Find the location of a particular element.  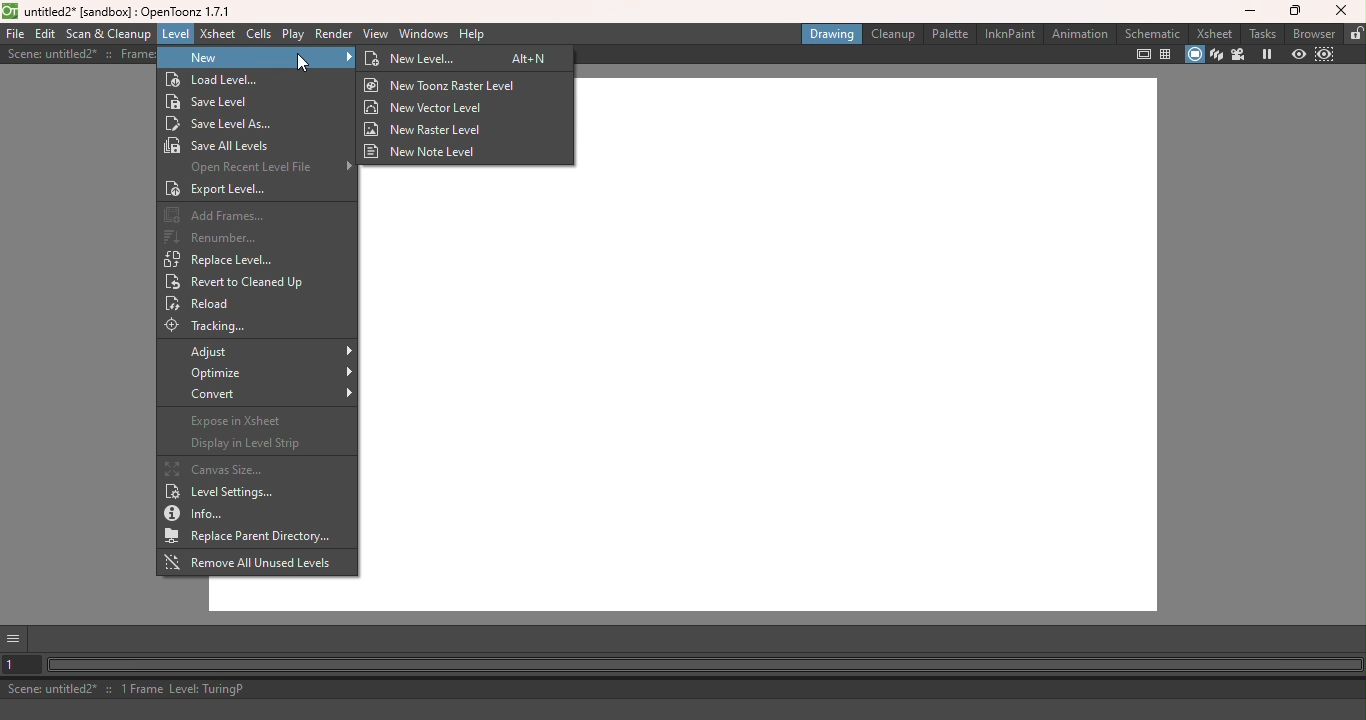

Cells is located at coordinates (259, 35).